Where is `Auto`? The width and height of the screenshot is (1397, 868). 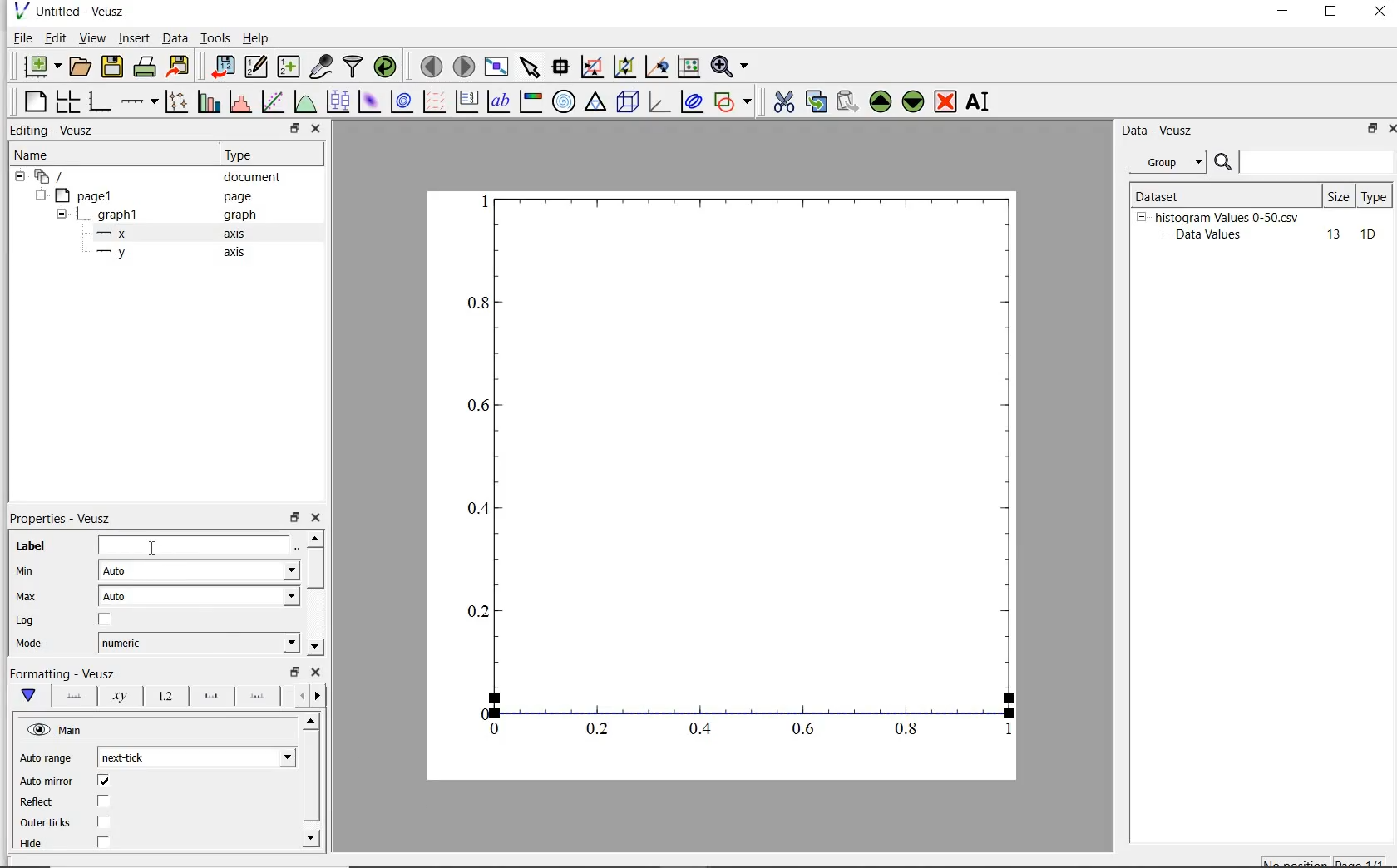
Auto is located at coordinates (199, 570).